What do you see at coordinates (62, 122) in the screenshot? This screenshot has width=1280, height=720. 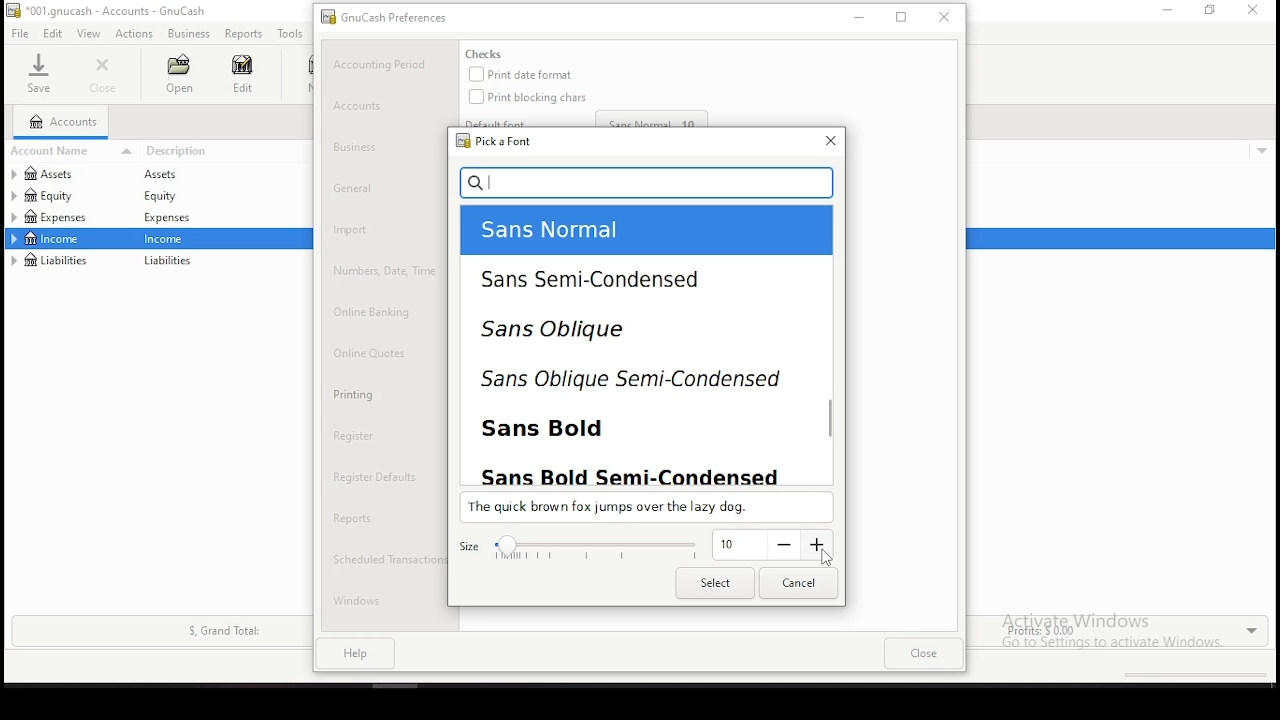 I see `accounts` at bounding box center [62, 122].